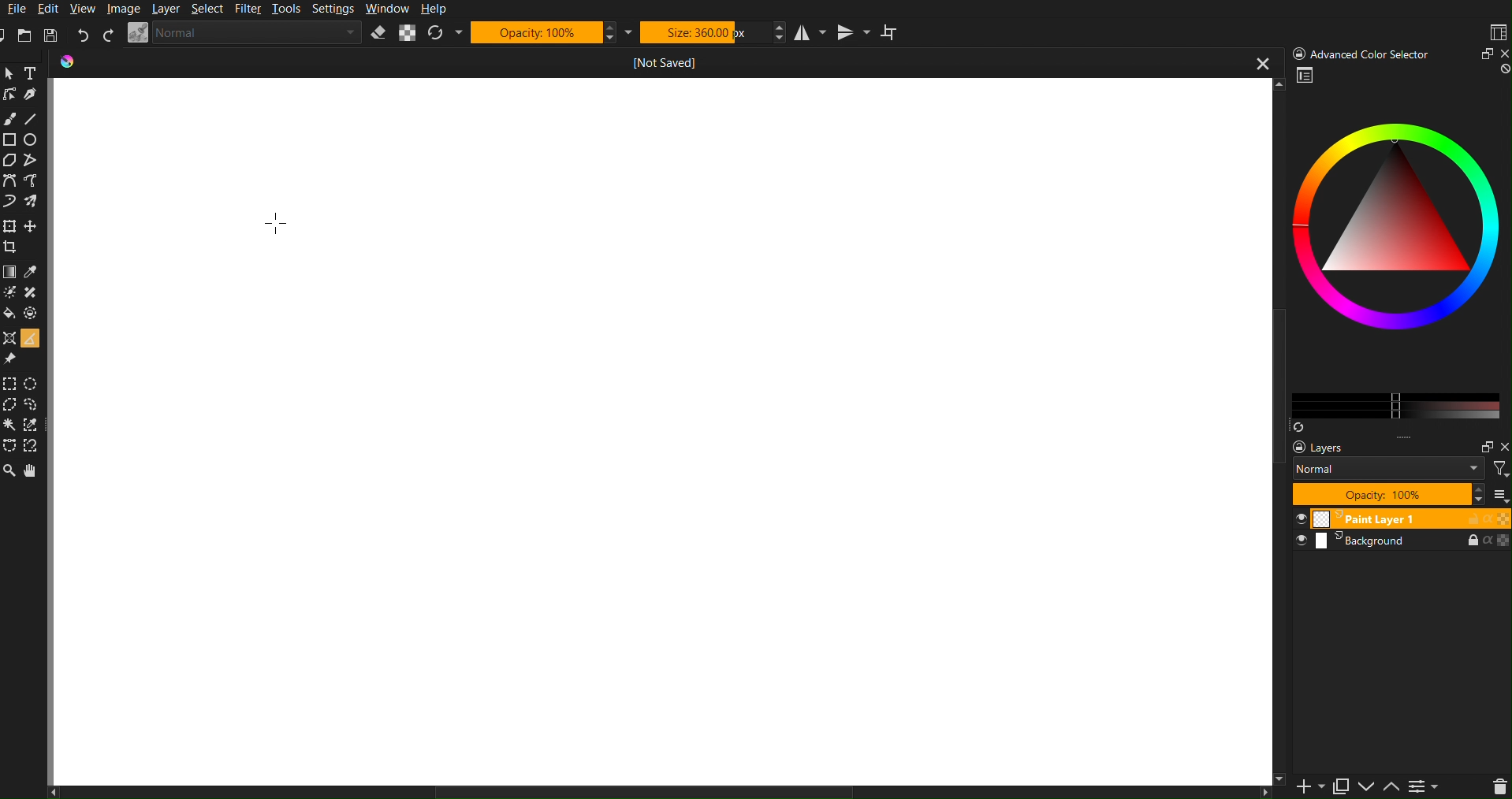 The width and height of the screenshot is (1512, 799). What do you see at coordinates (1346, 786) in the screenshot?
I see `Copy` at bounding box center [1346, 786].